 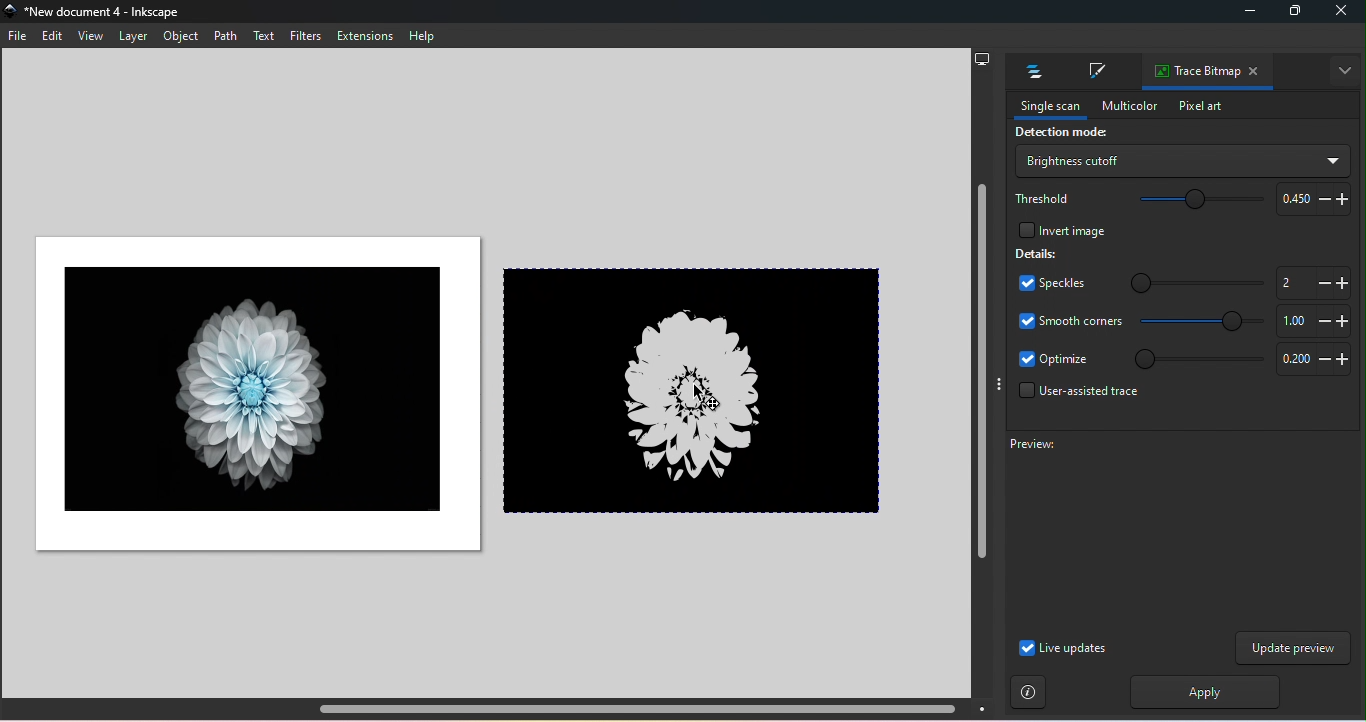 I want to click on Toggle display options, so click(x=998, y=384).